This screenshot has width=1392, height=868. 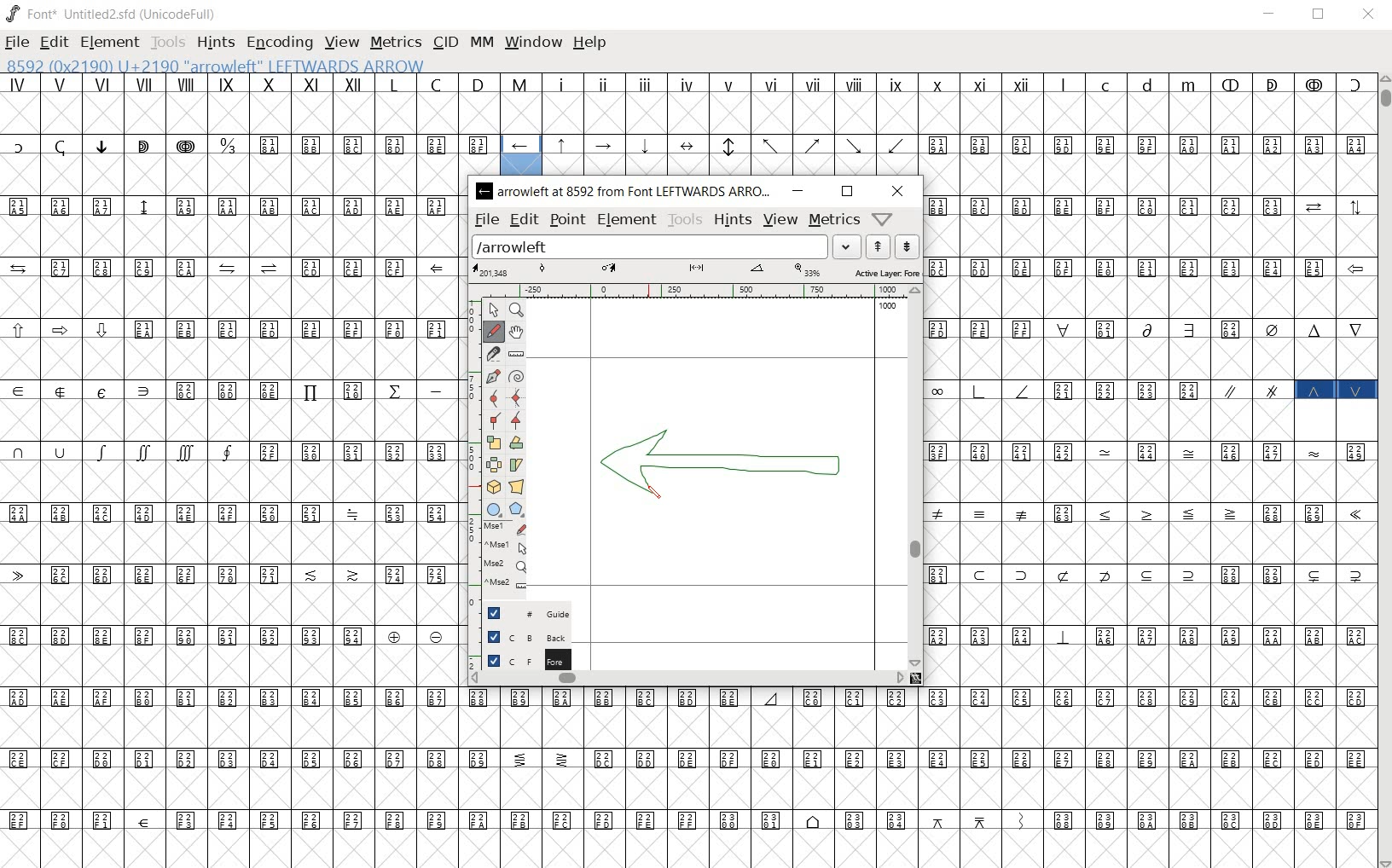 What do you see at coordinates (516, 443) in the screenshot?
I see `Rotate the selection` at bounding box center [516, 443].